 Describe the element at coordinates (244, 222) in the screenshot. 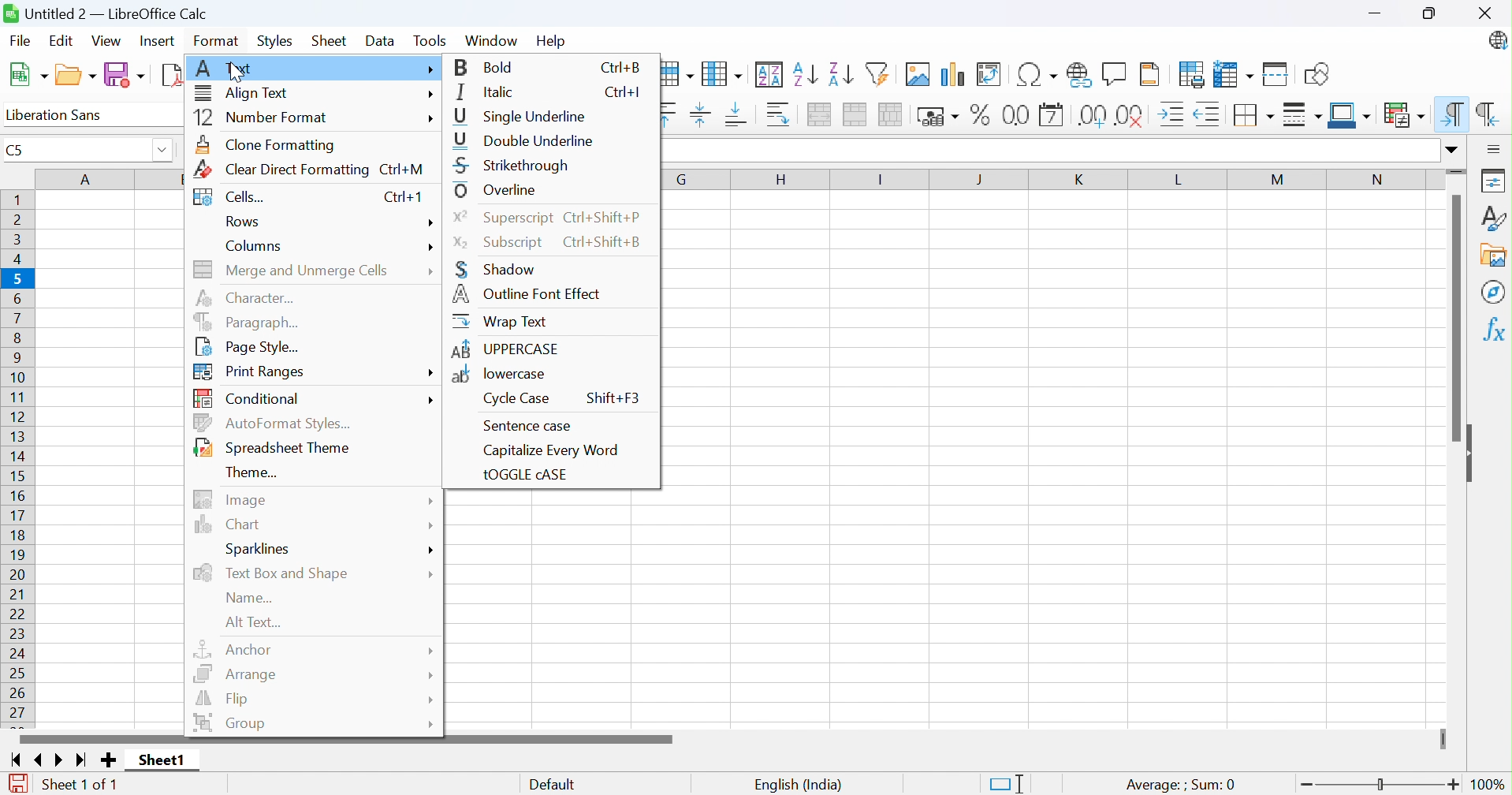

I see `Rows` at that location.